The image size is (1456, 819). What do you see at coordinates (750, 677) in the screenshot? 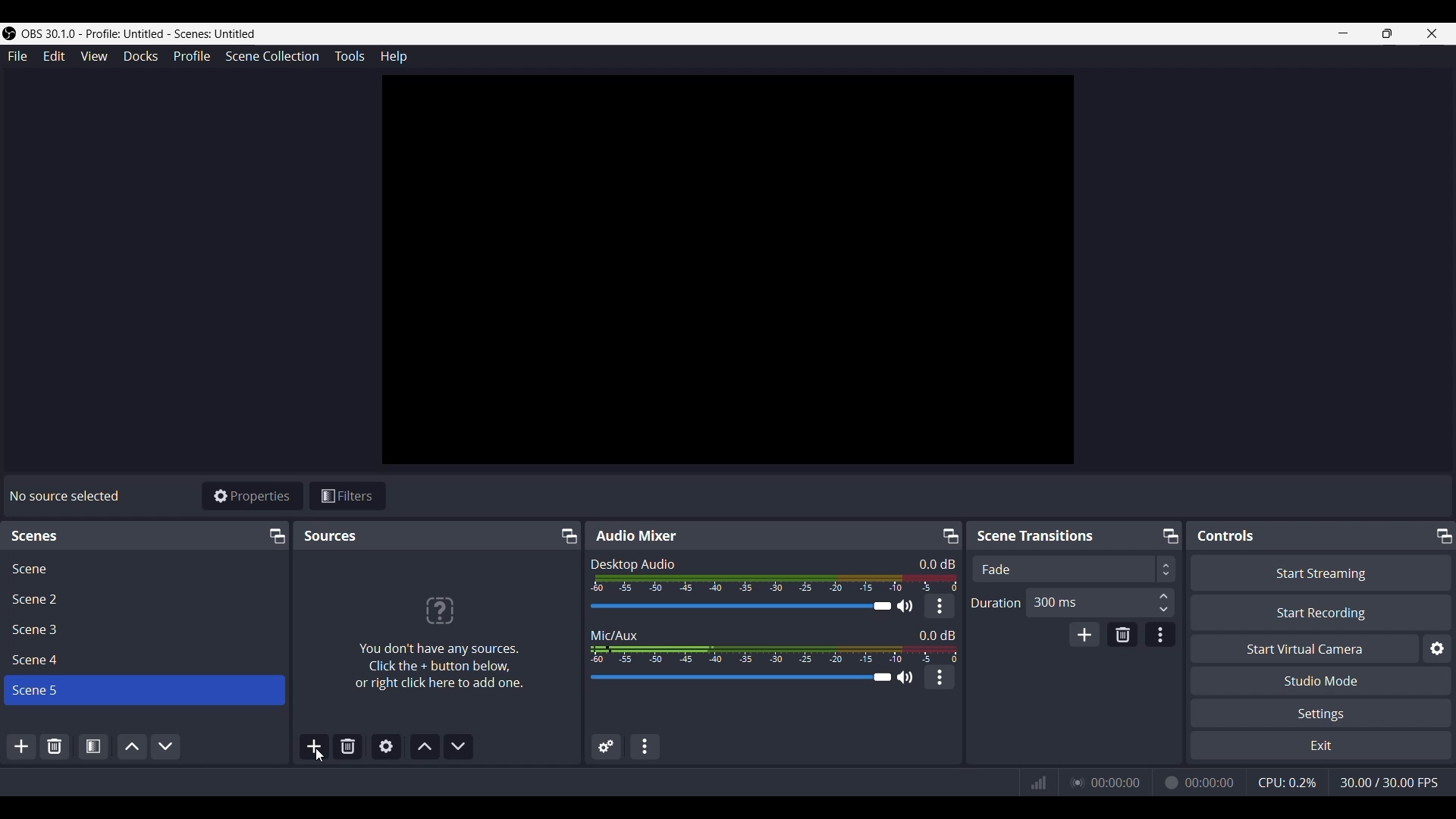
I see `Volume Adjuster` at bounding box center [750, 677].